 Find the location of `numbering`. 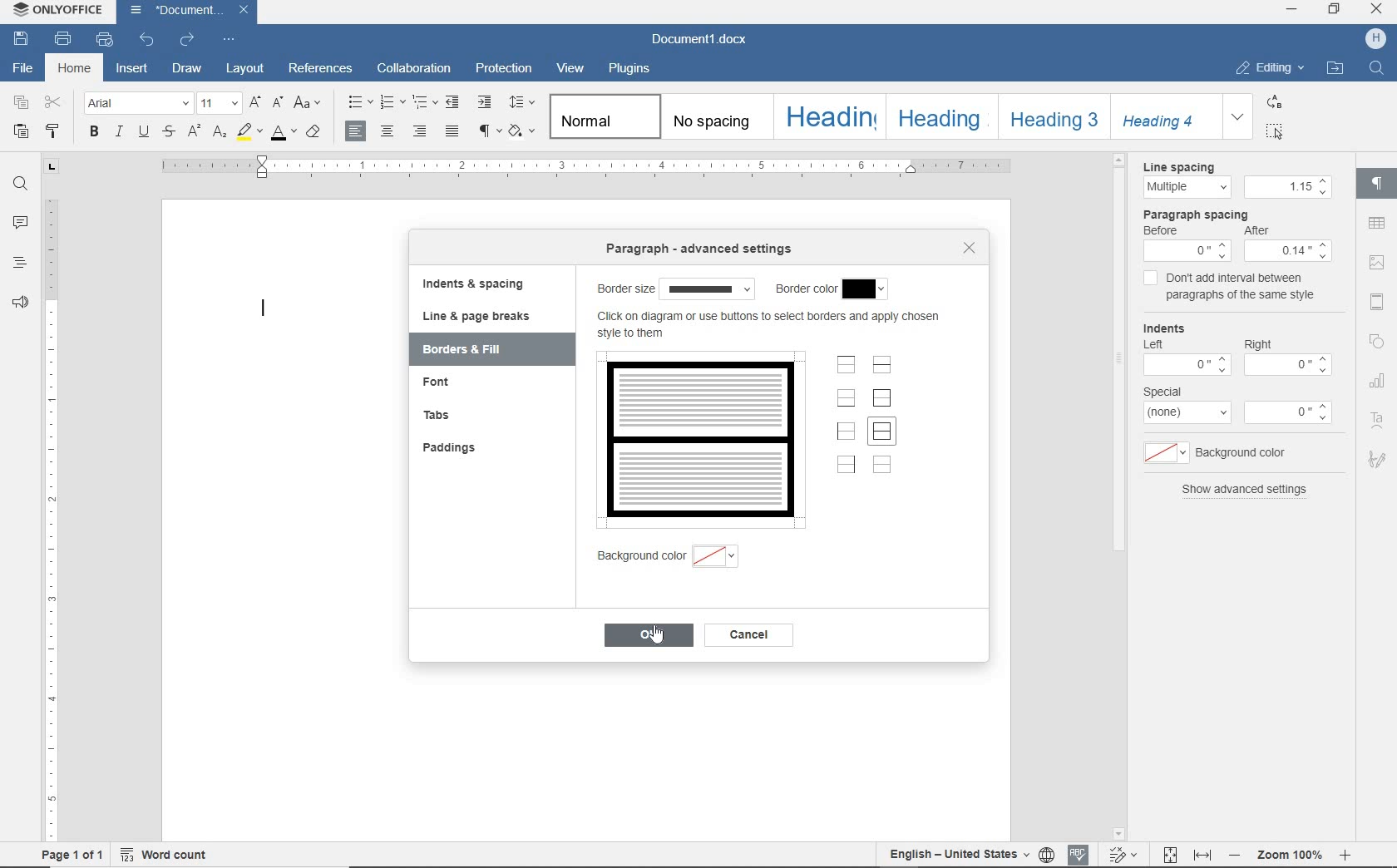

numbering is located at coordinates (392, 103).